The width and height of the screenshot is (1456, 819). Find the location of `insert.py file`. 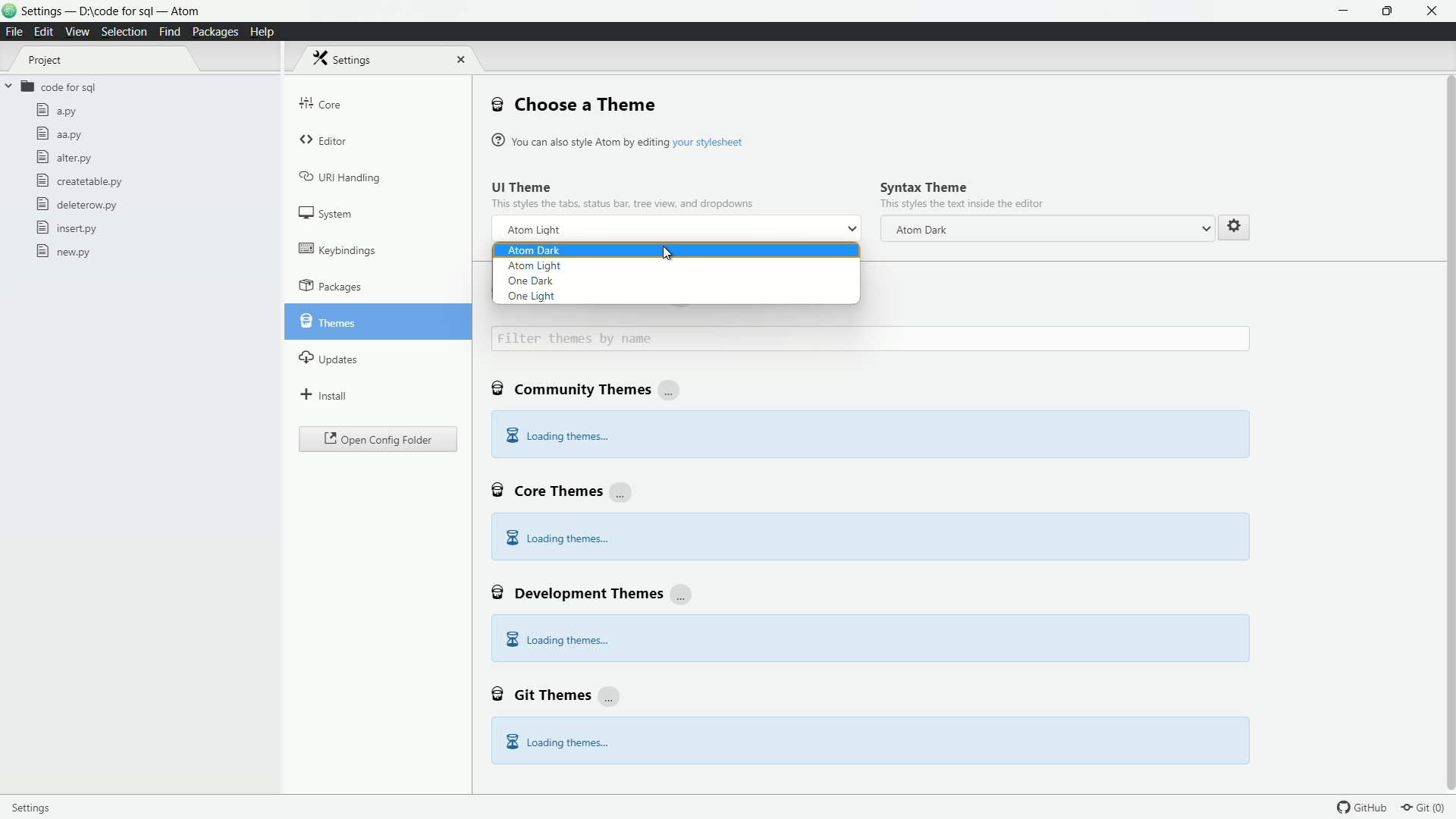

insert.py file is located at coordinates (68, 227).